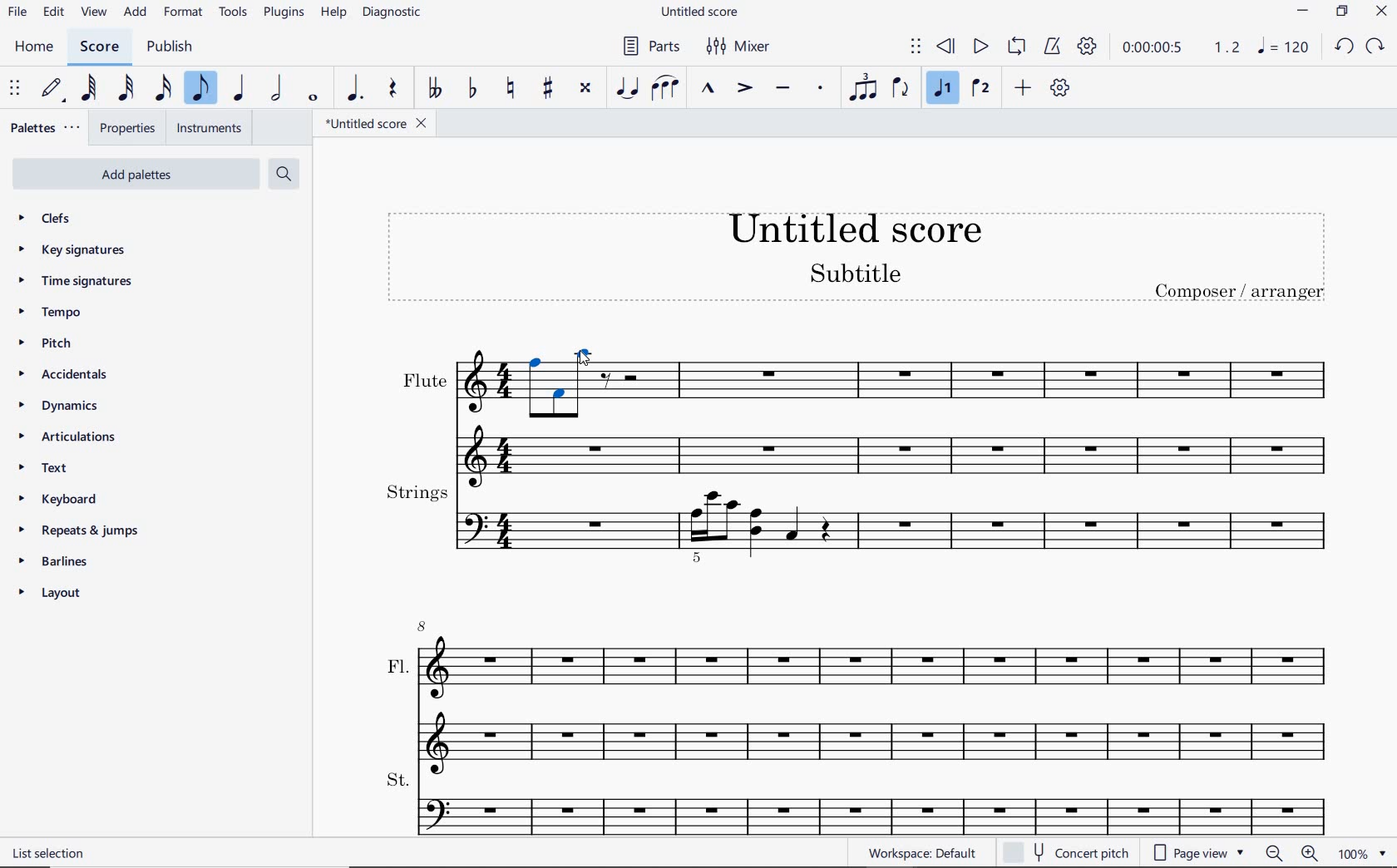 Image resolution: width=1397 pixels, height=868 pixels. Describe the element at coordinates (74, 279) in the screenshot. I see `time signatures` at that location.